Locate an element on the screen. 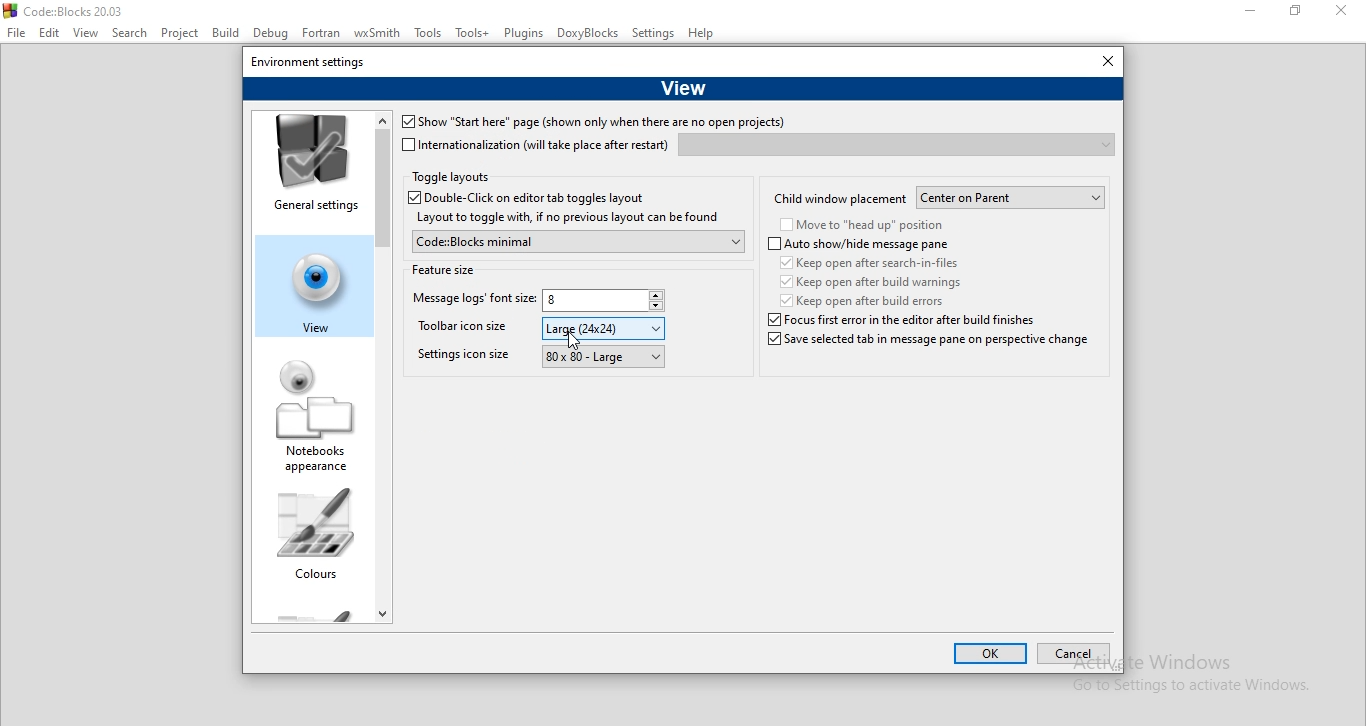 This screenshot has width=1366, height=726. colours is located at coordinates (314, 540).